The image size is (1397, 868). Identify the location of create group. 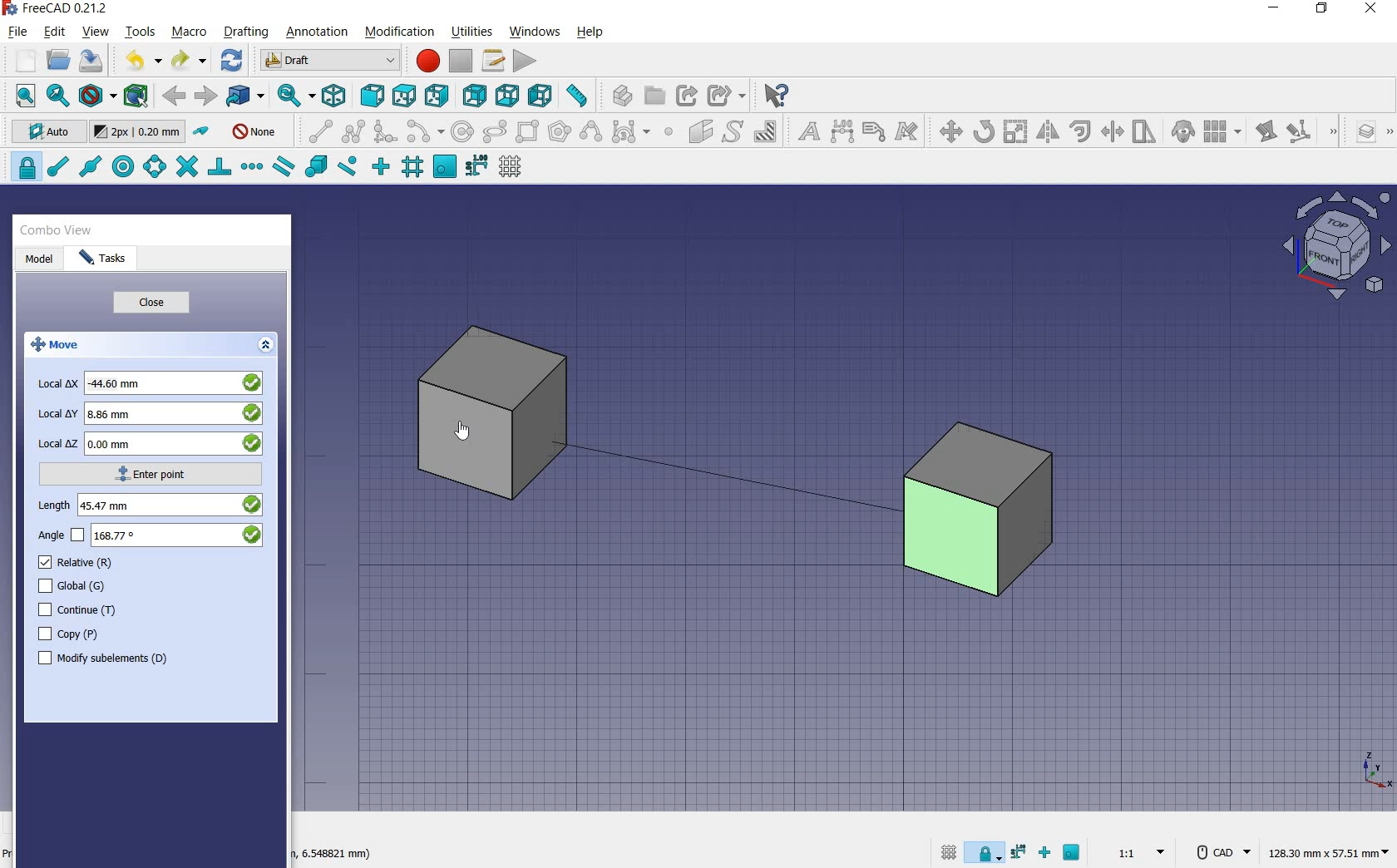
(654, 96).